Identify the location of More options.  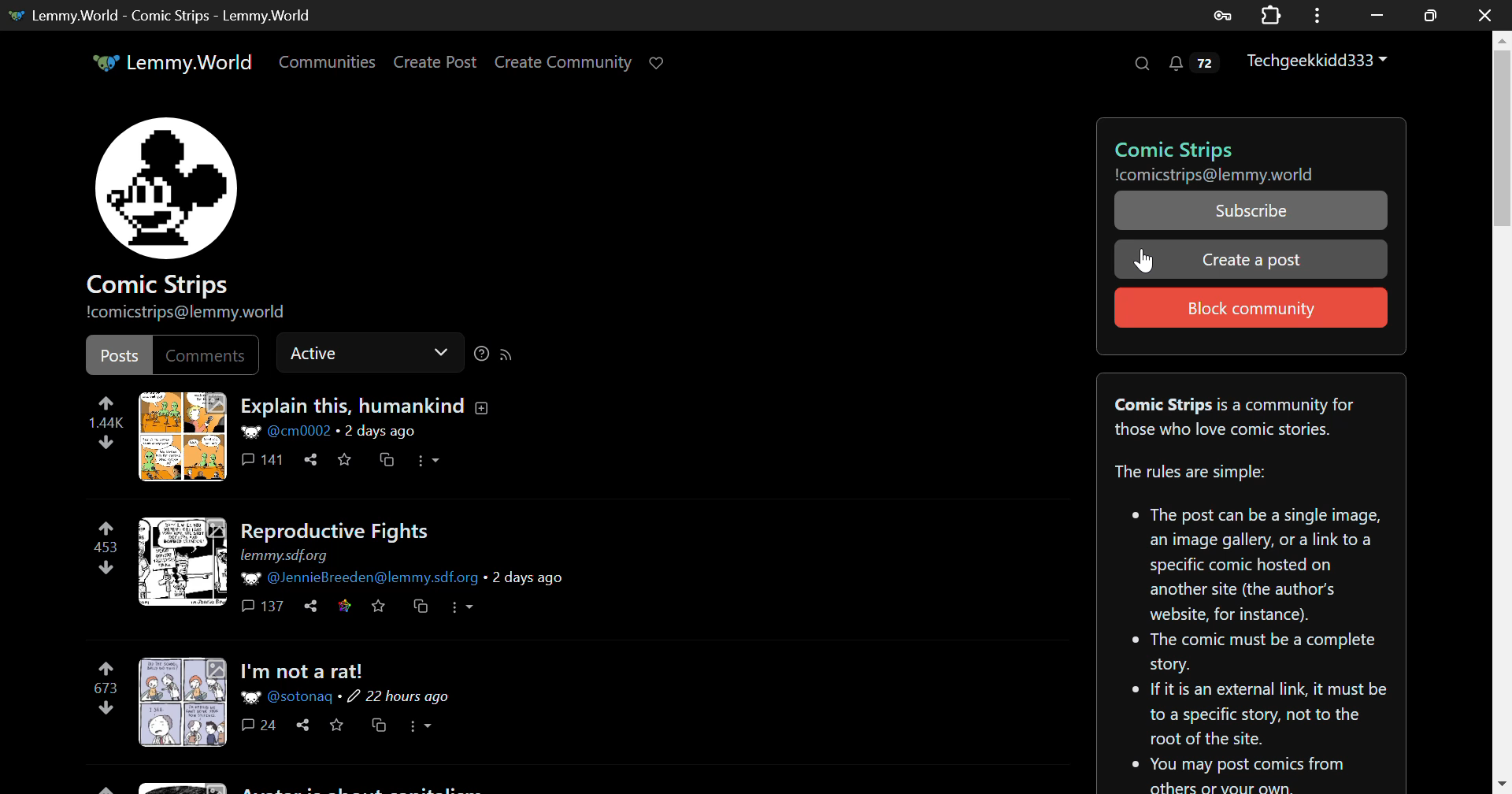
(421, 727).